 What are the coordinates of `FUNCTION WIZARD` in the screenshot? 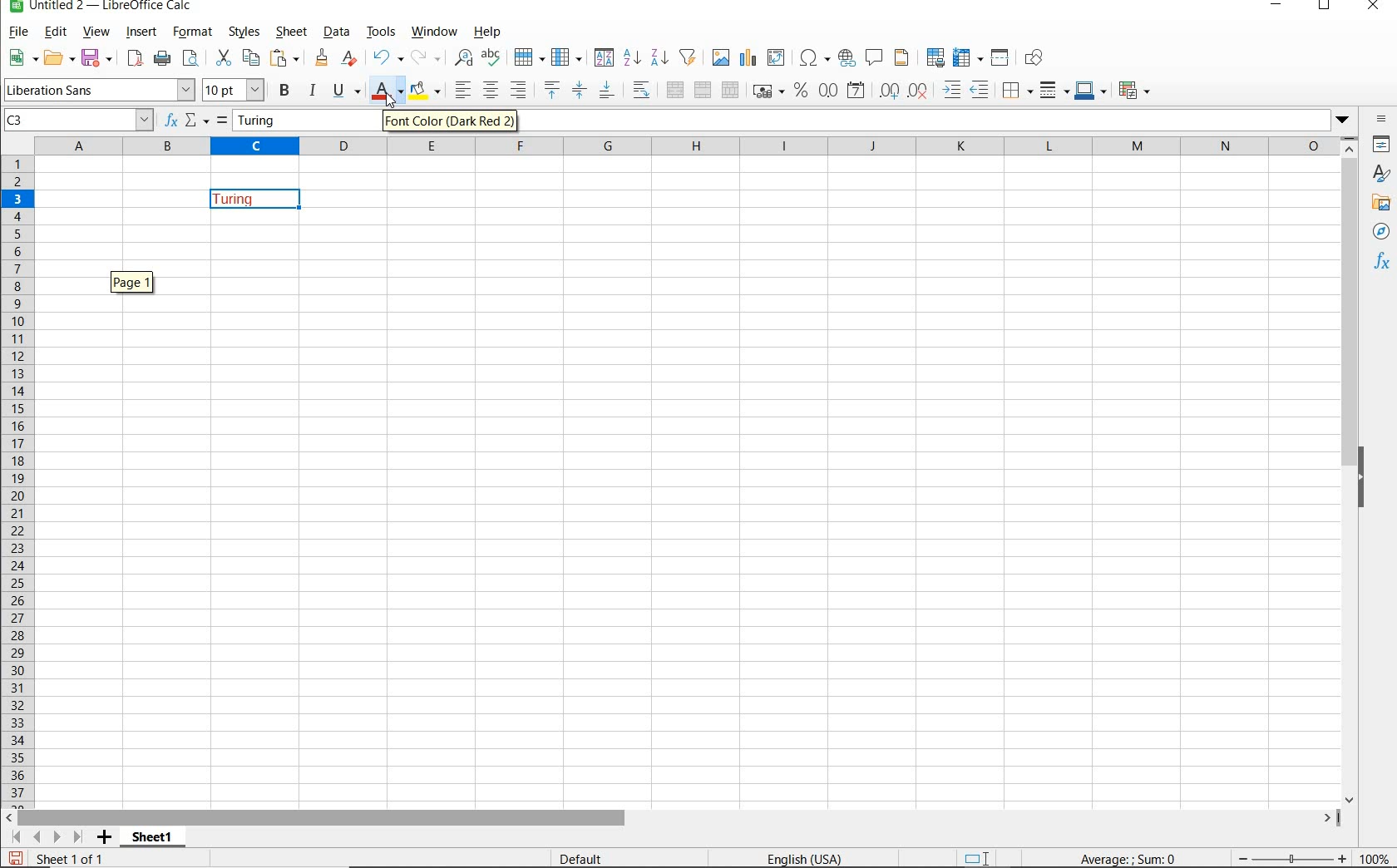 It's located at (172, 121).